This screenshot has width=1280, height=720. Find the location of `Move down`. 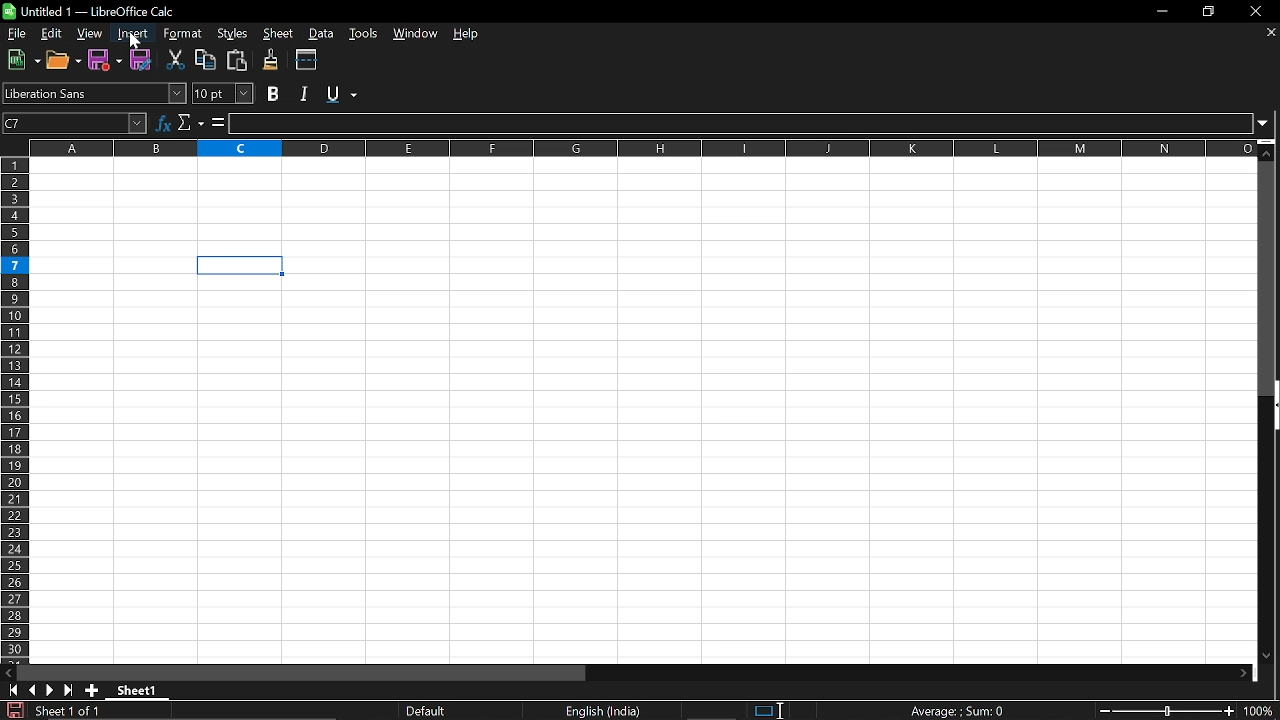

Move down is located at coordinates (1269, 149).